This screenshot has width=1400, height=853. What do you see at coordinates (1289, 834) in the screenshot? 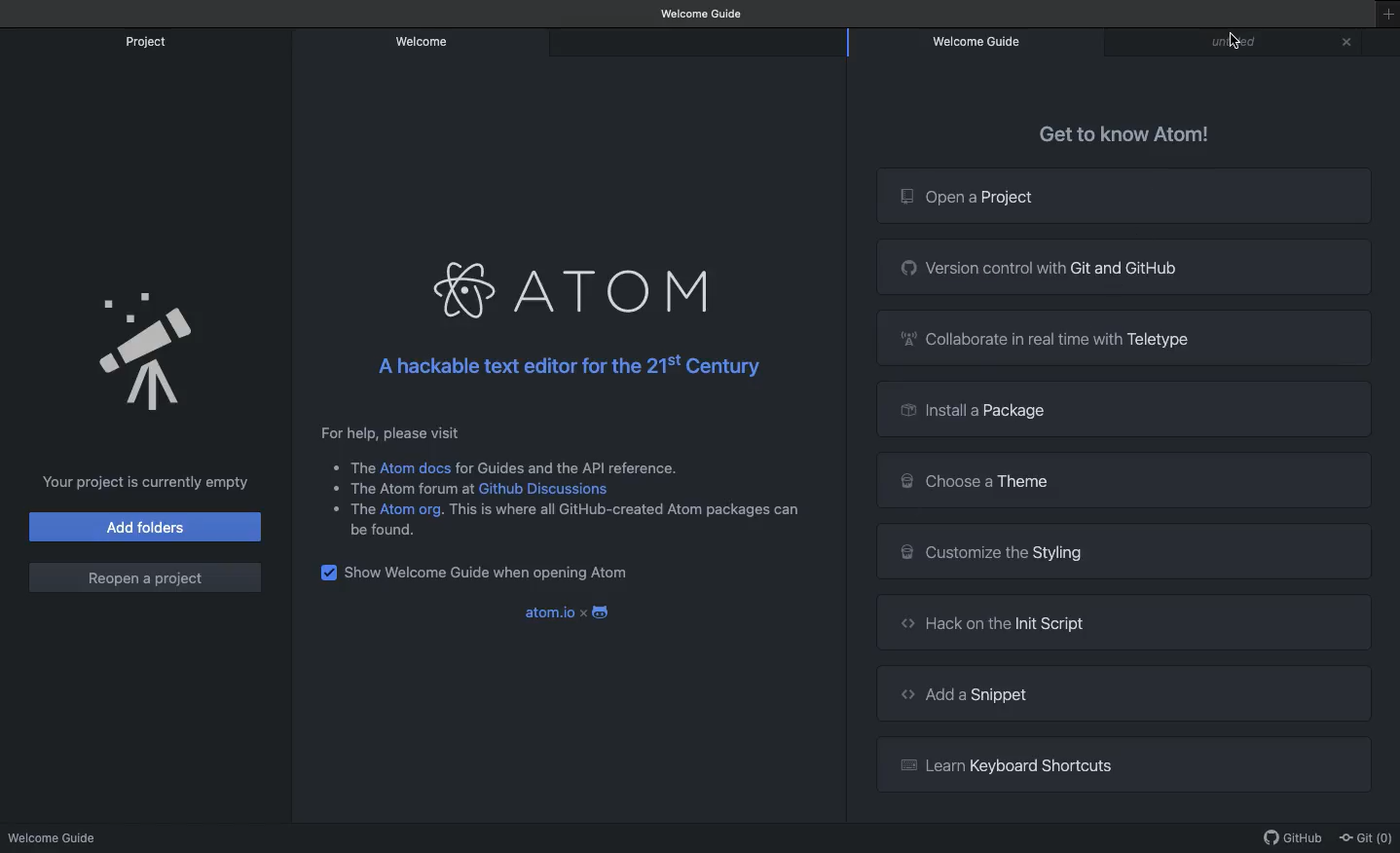
I see `GitHub` at bounding box center [1289, 834].